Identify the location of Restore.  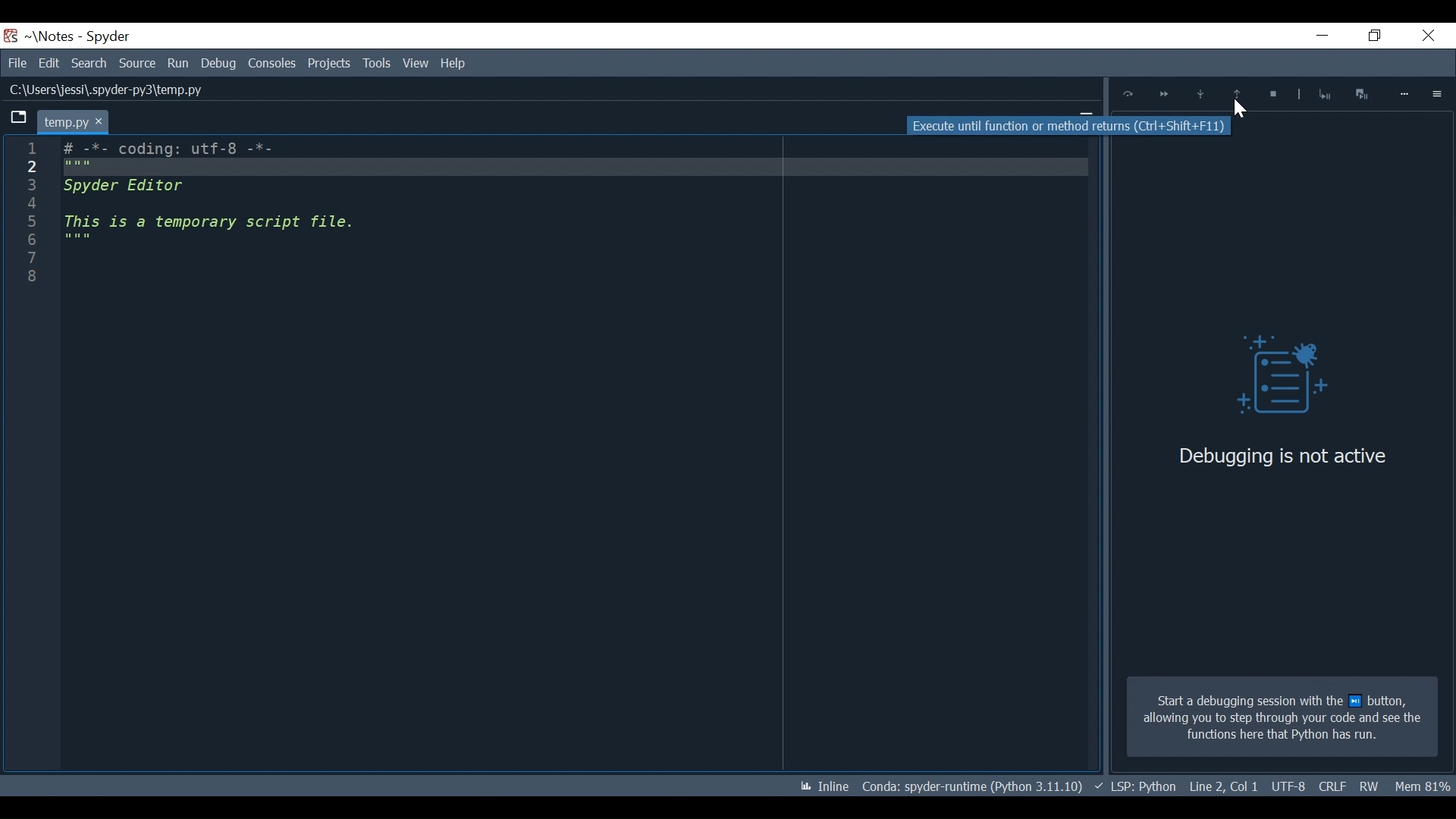
(1370, 36).